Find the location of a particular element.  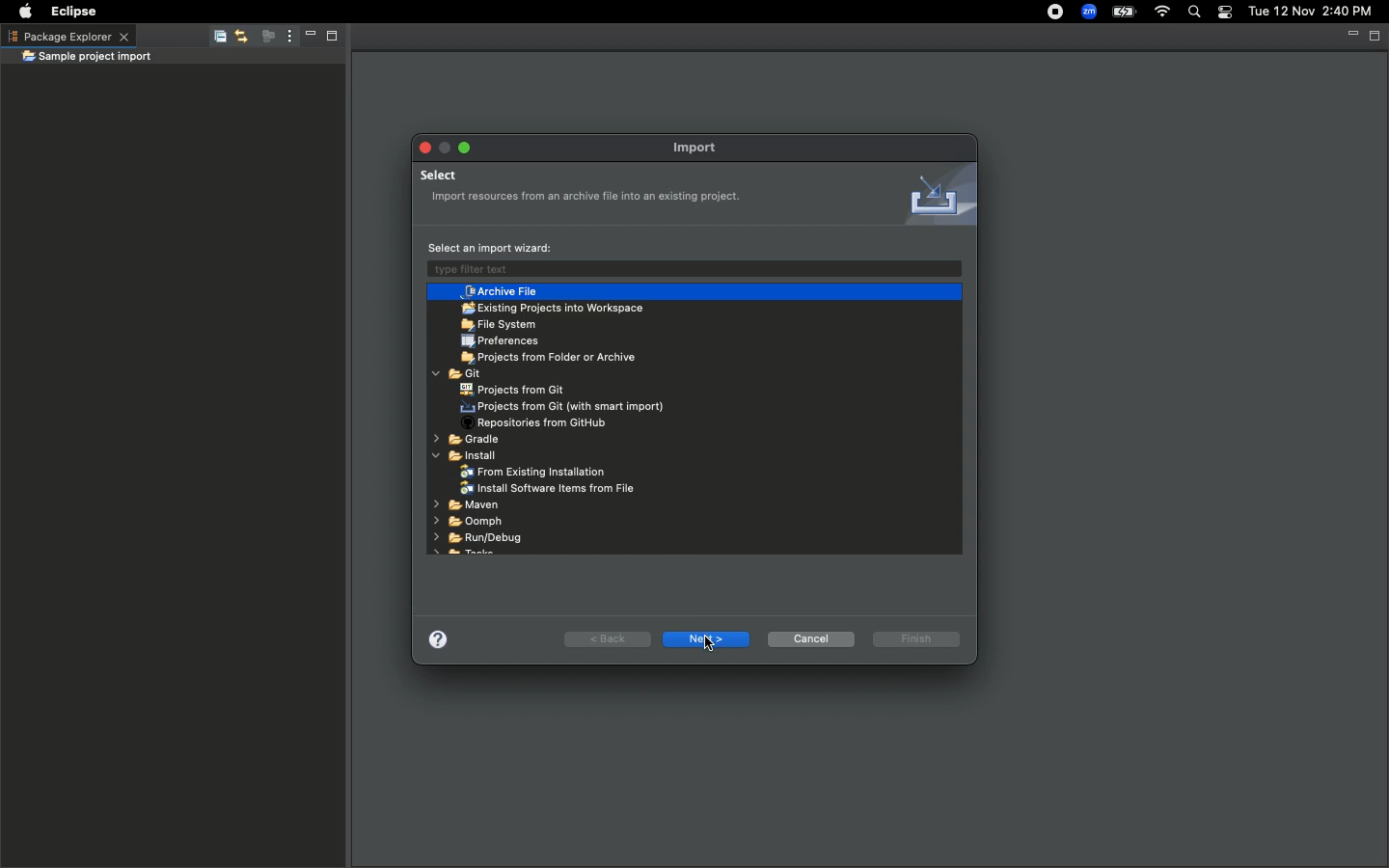

Minimize is located at coordinates (1350, 35).